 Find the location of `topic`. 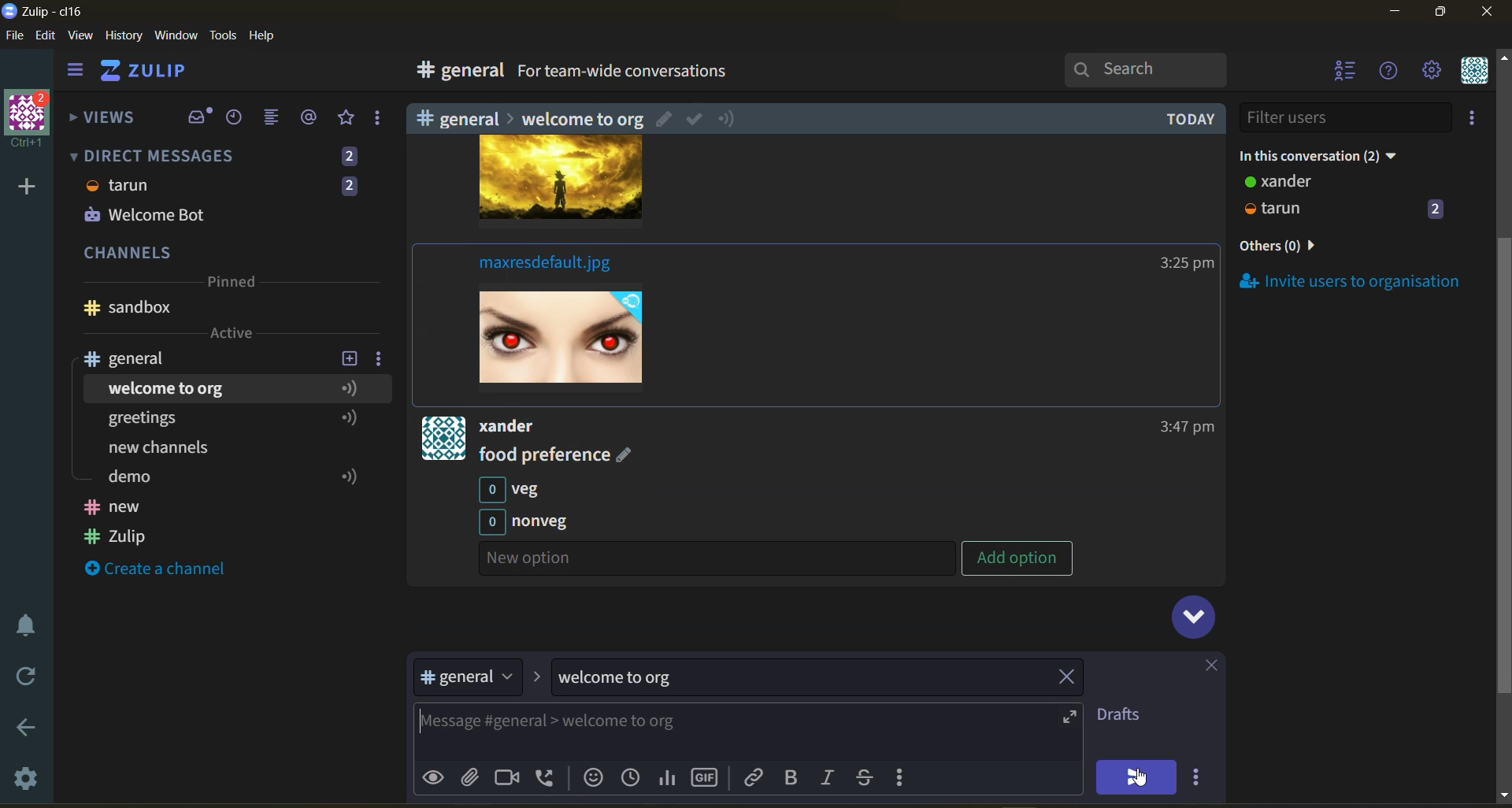

topic is located at coordinates (627, 678).